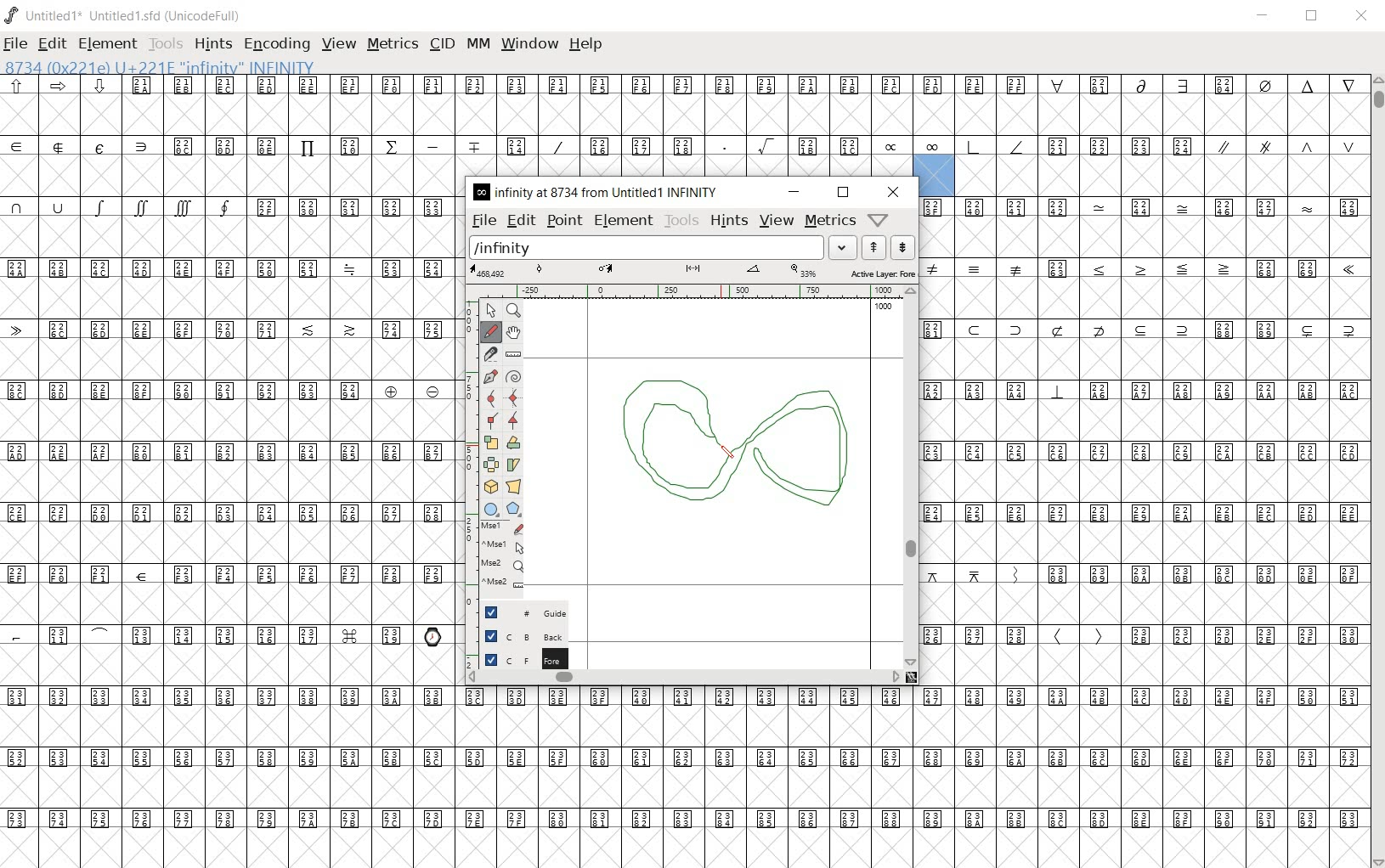 The image size is (1385, 868). Describe the element at coordinates (1363, 16) in the screenshot. I see `close` at that location.